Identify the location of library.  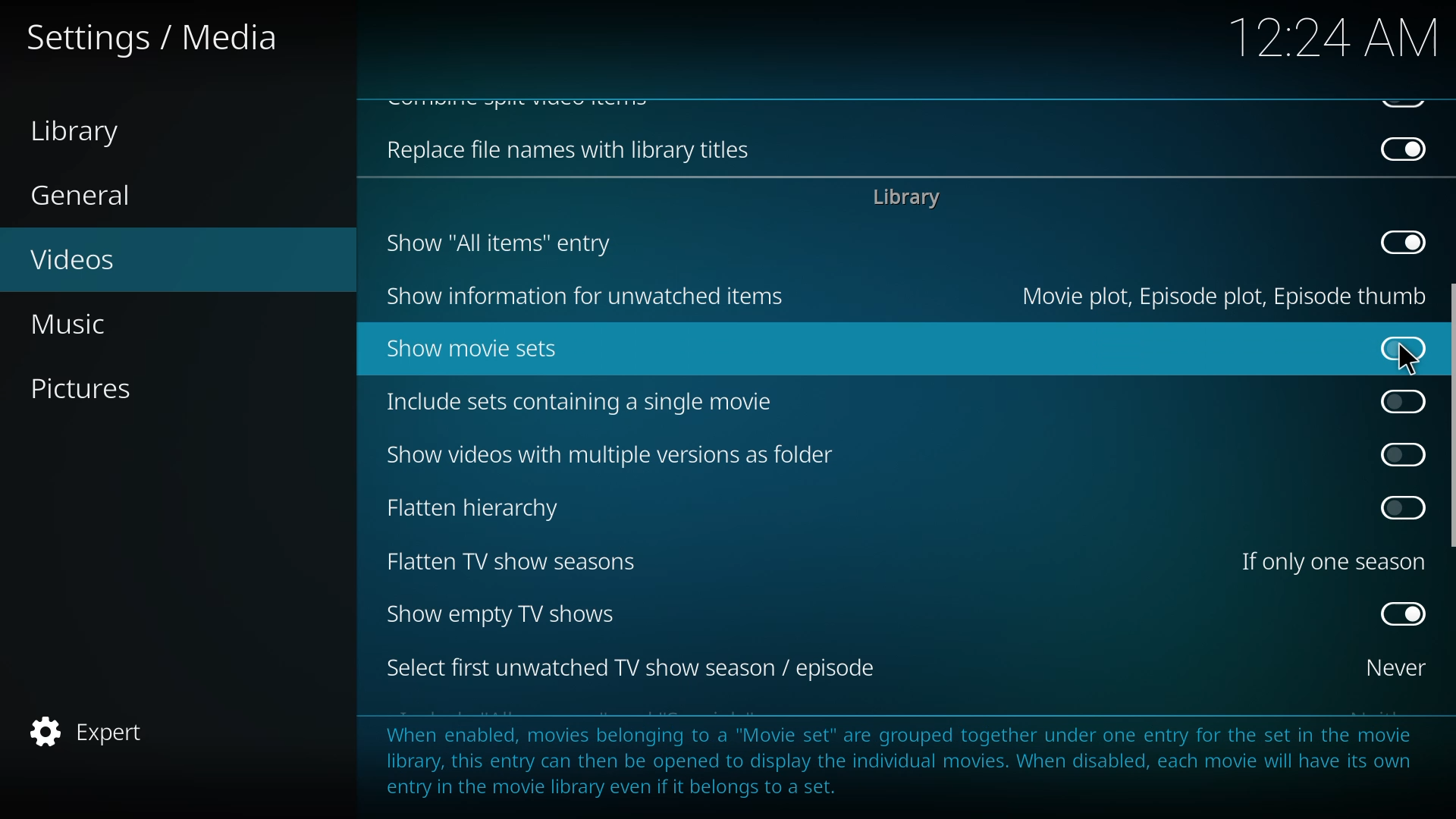
(89, 132).